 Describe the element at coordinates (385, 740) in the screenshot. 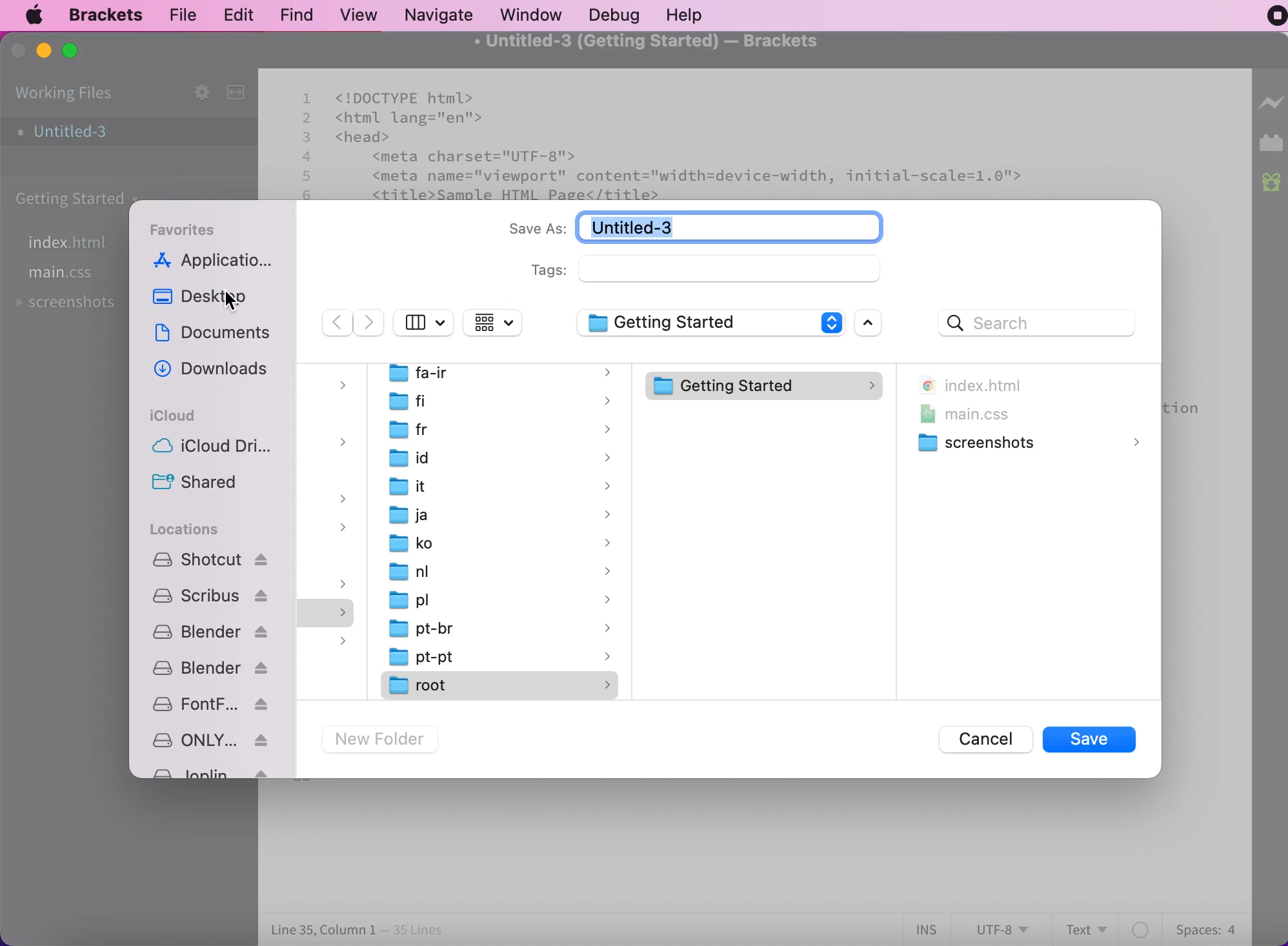

I see `new folder` at that location.